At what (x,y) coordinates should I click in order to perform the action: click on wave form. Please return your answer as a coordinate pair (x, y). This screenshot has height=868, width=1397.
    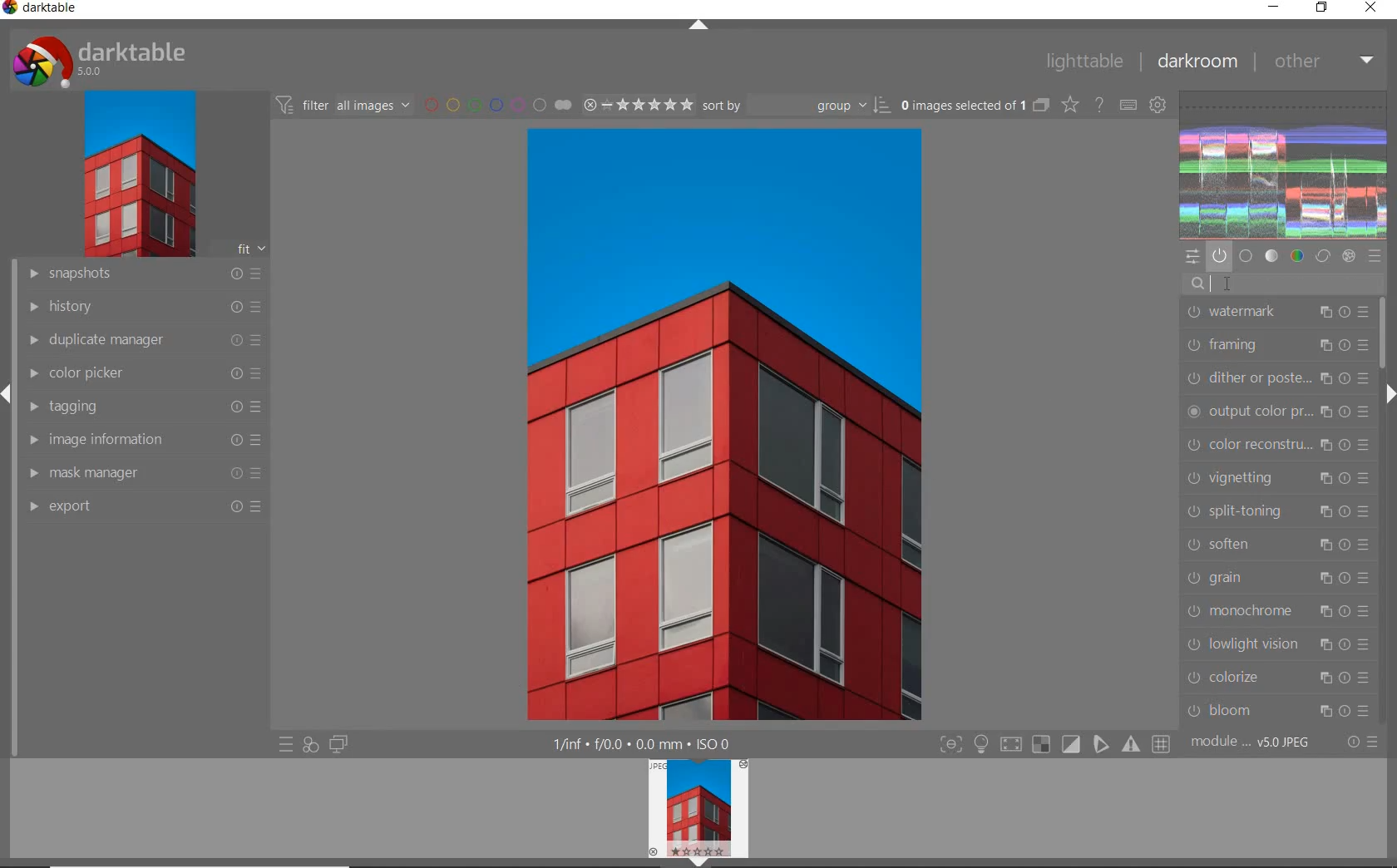
    Looking at the image, I should click on (1284, 165).